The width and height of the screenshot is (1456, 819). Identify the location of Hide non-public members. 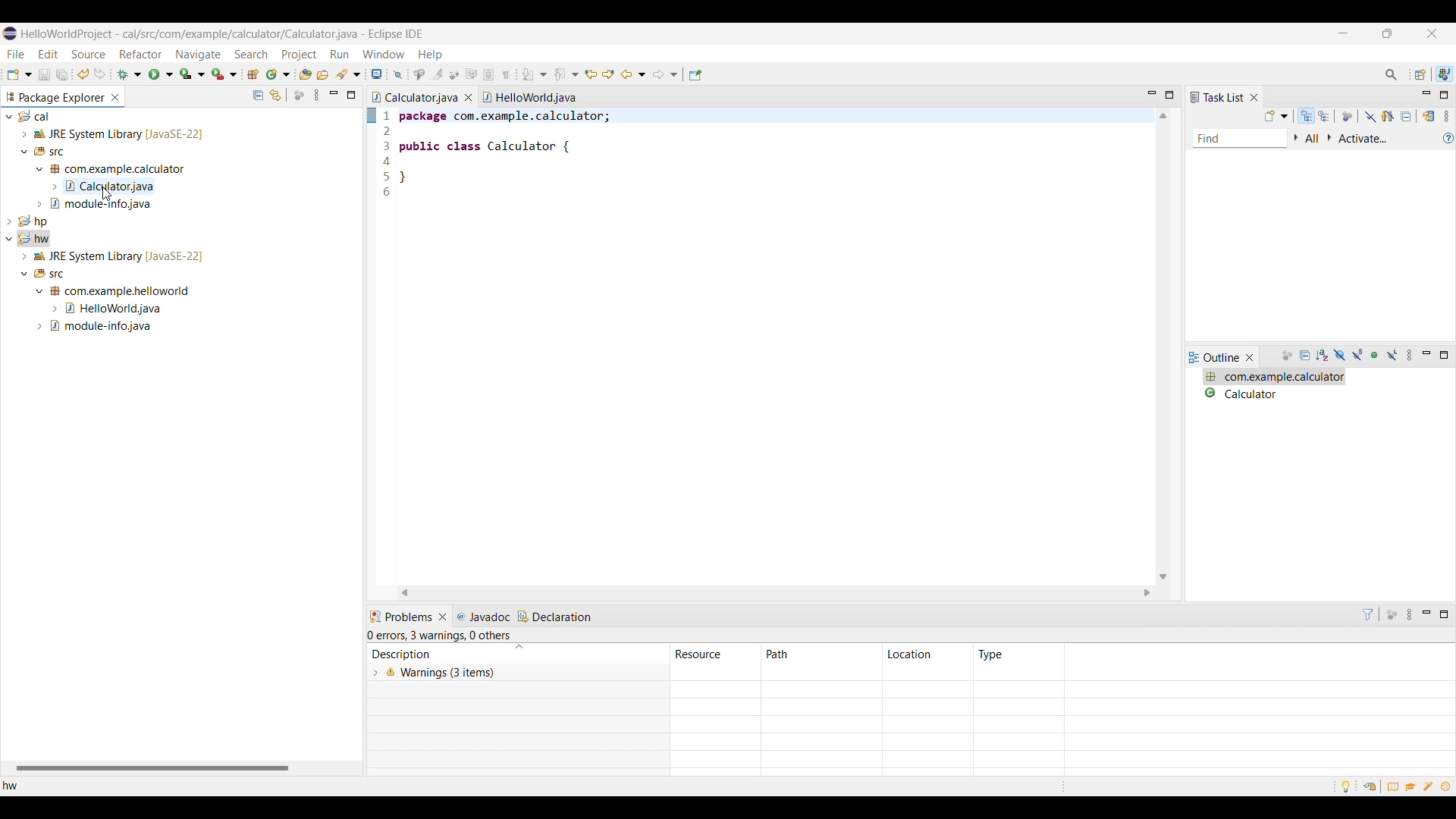
(1377, 356).